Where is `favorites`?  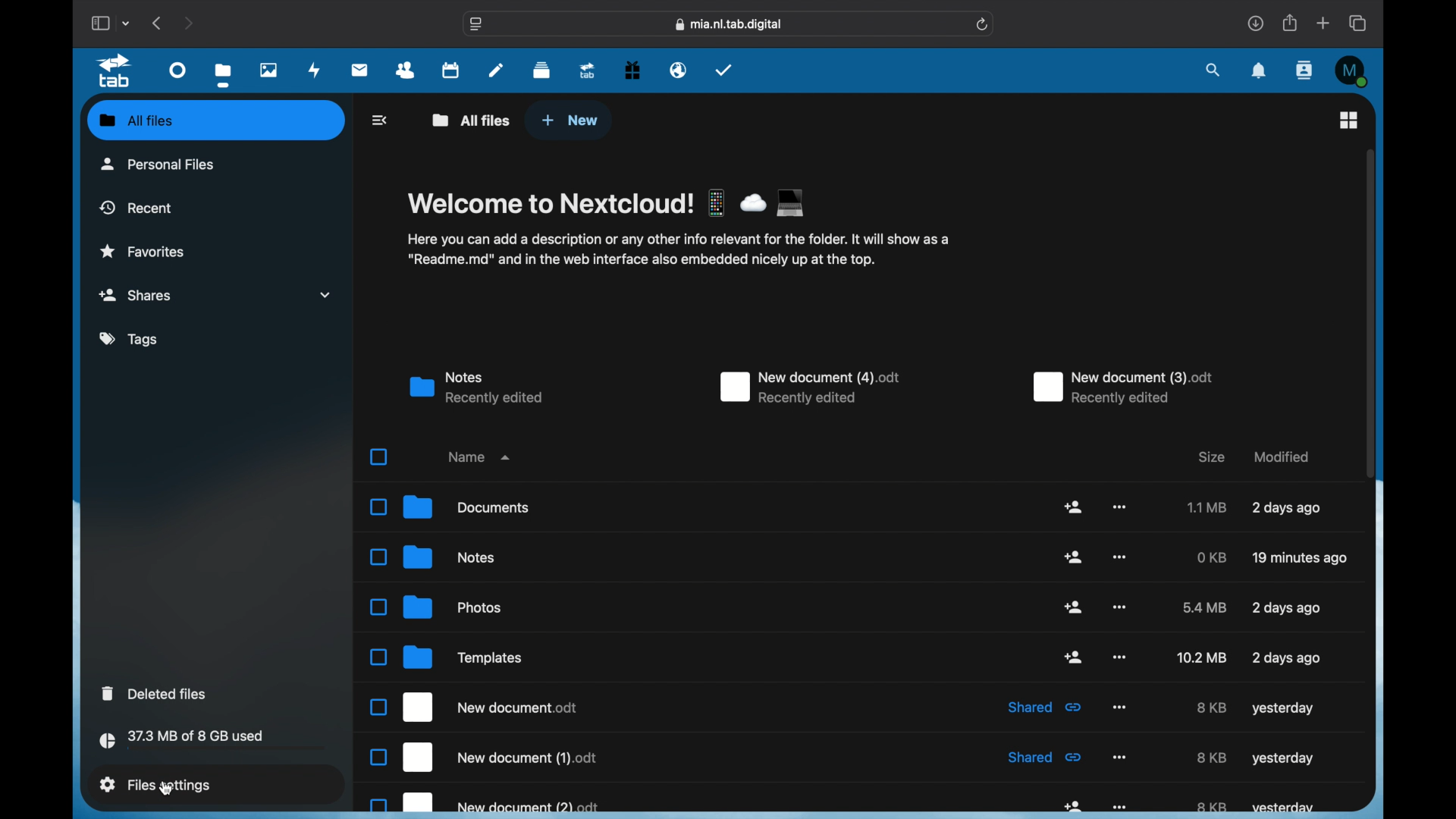
favorites is located at coordinates (143, 252).